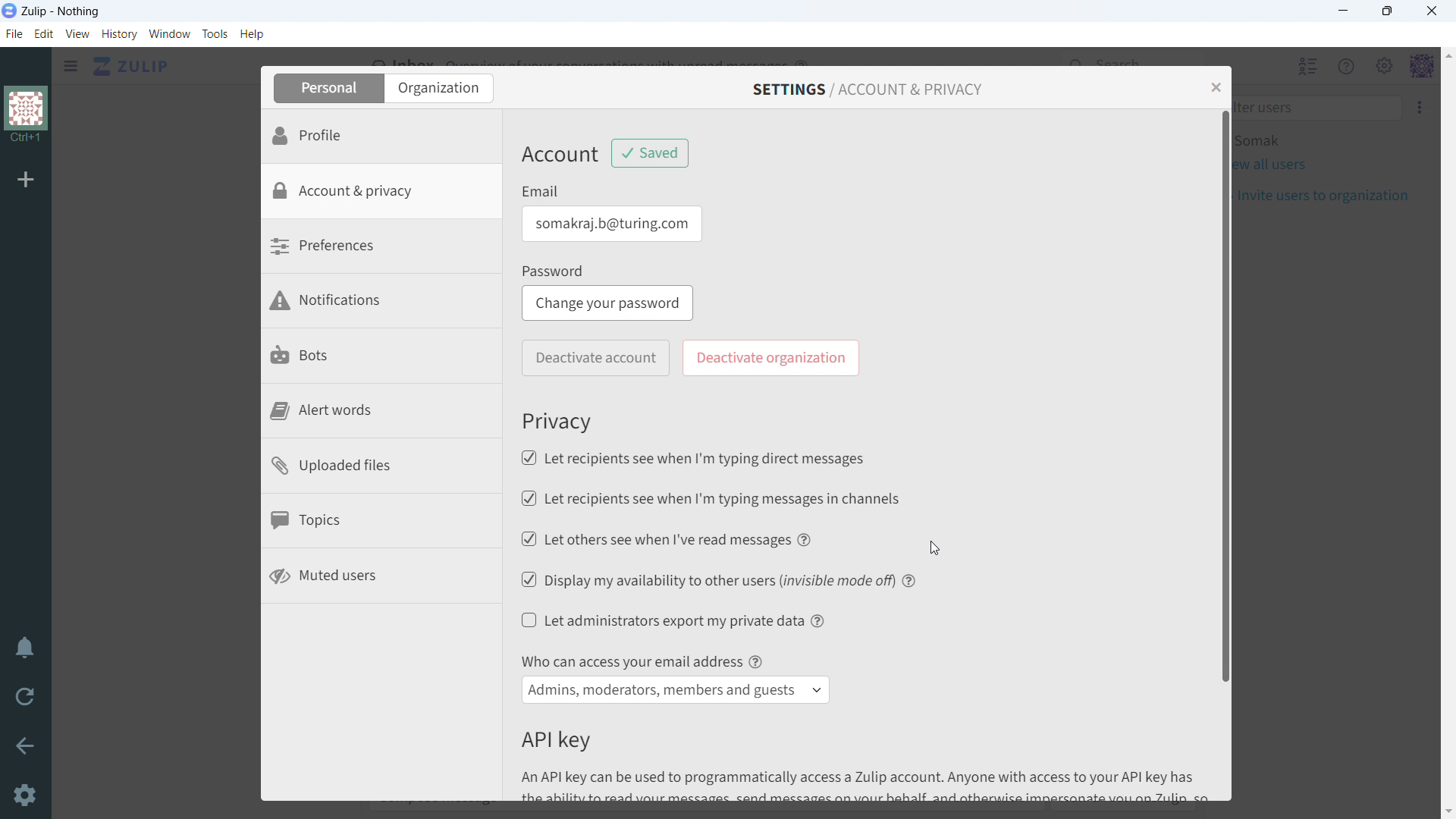  What do you see at coordinates (557, 422) in the screenshot?
I see `Privacy` at bounding box center [557, 422].